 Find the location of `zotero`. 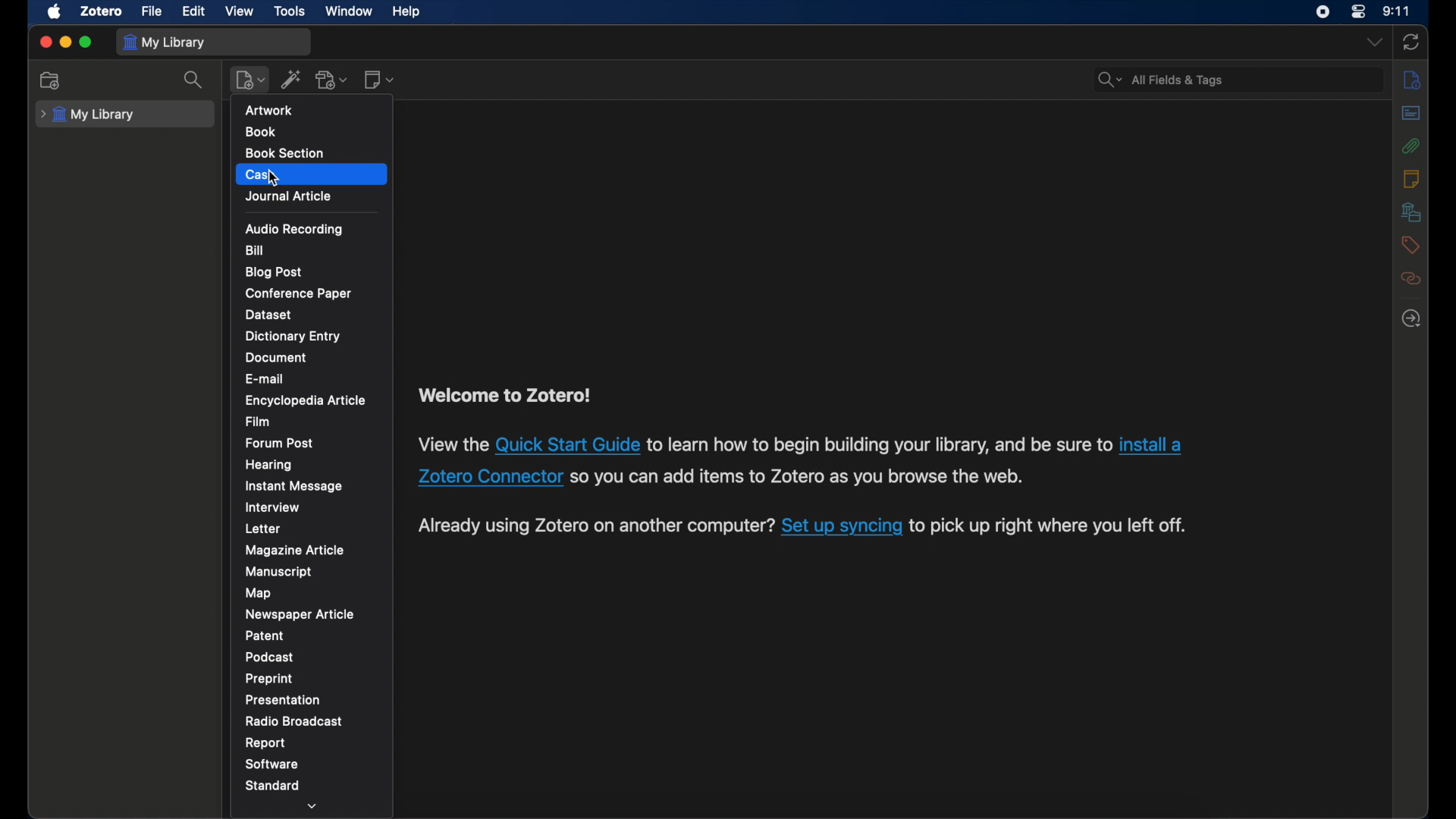

zotero is located at coordinates (102, 11).